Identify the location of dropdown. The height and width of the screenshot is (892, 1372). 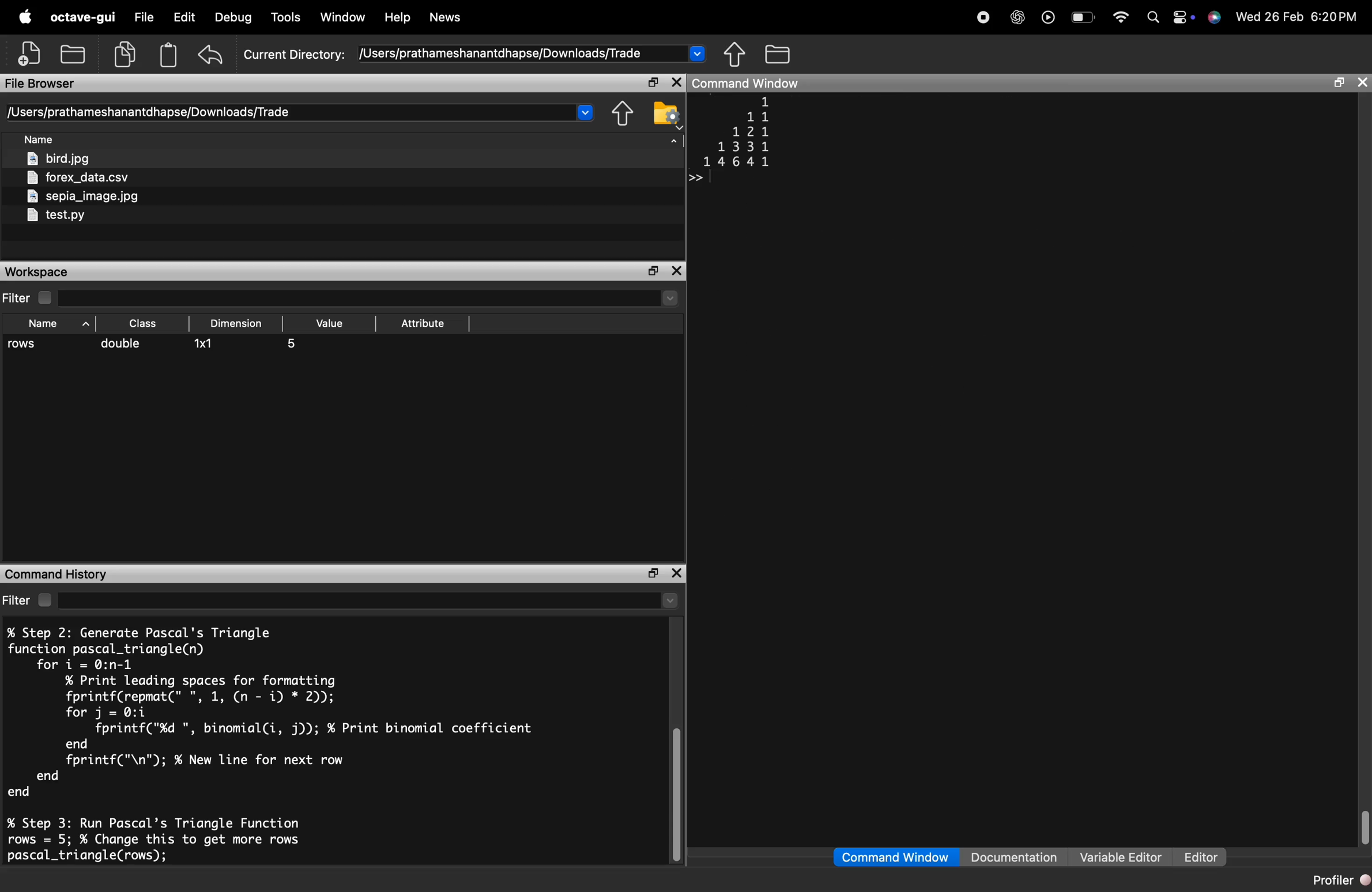
(698, 53).